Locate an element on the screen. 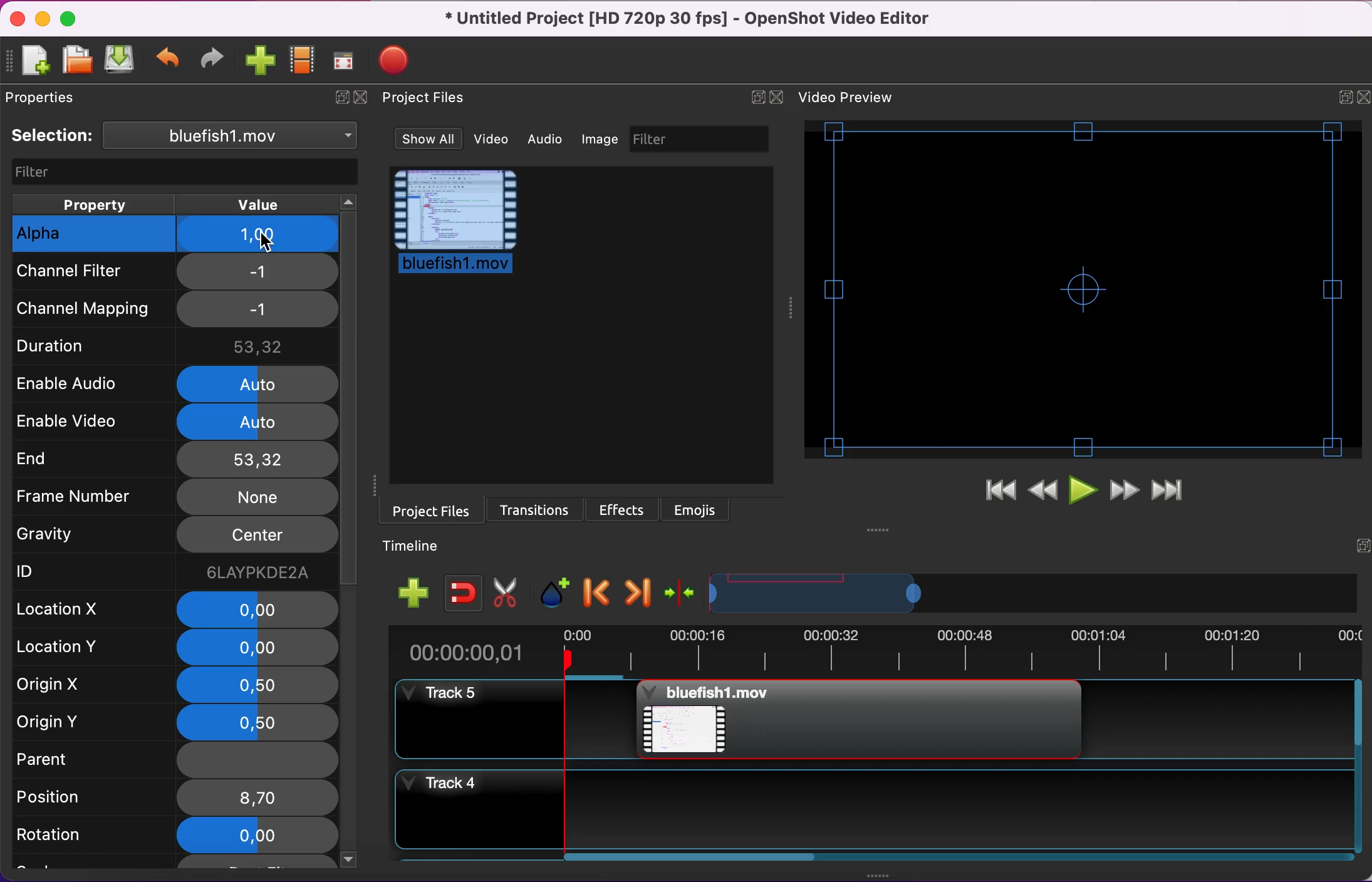 This screenshot has width=1372, height=882. -1 is located at coordinates (257, 272).